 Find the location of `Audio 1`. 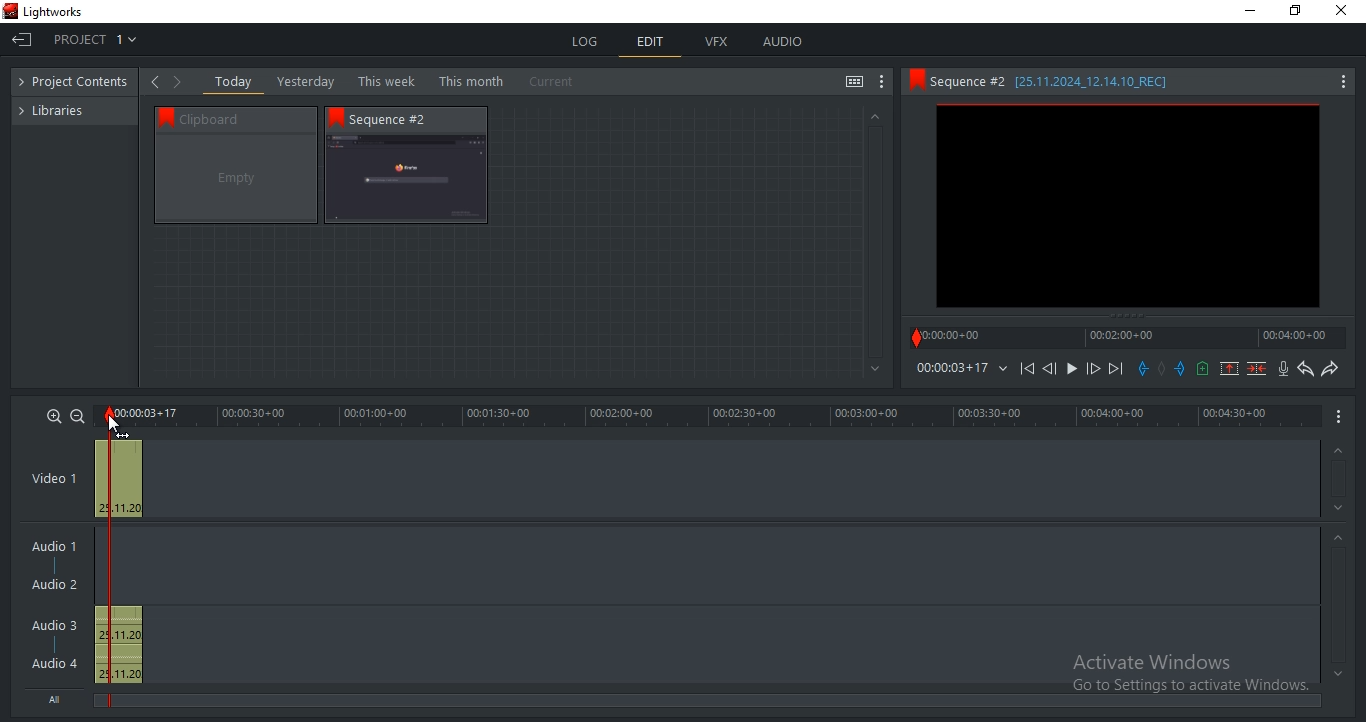

Audio 1 is located at coordinates (50, 548).